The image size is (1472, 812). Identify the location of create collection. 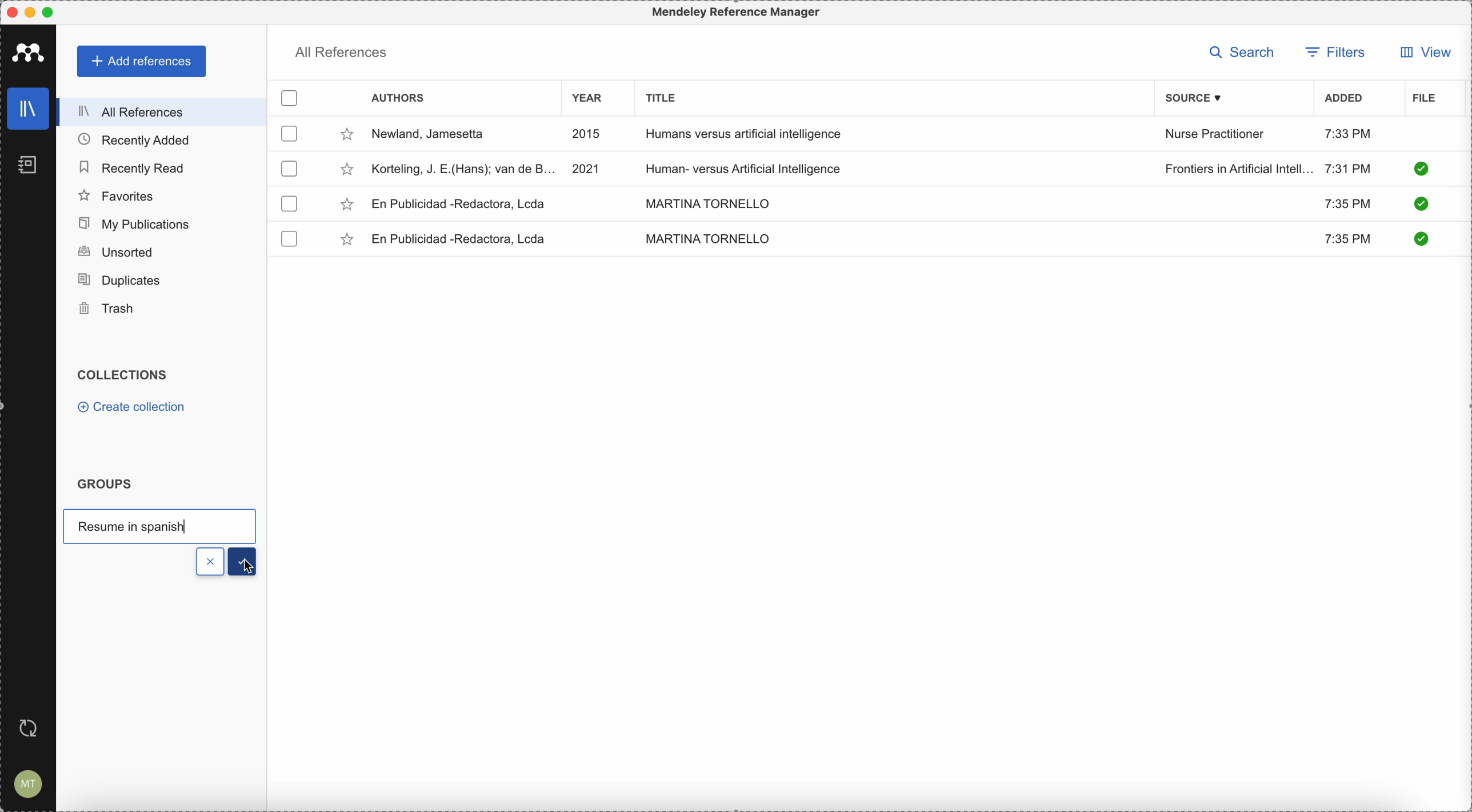
(134, 409).